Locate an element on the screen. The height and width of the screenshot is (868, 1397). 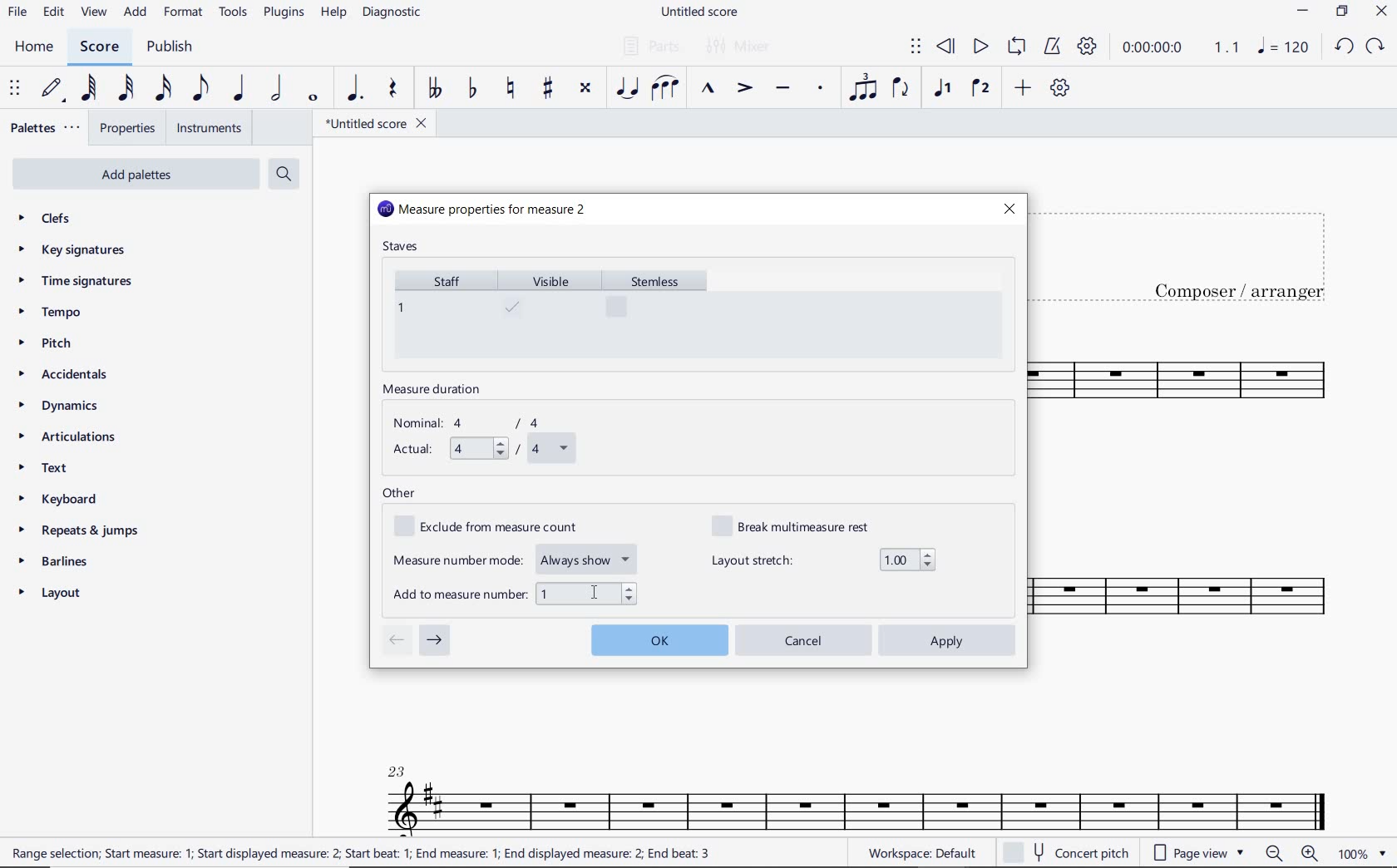
MIXER is located at coordinates (739, 47).